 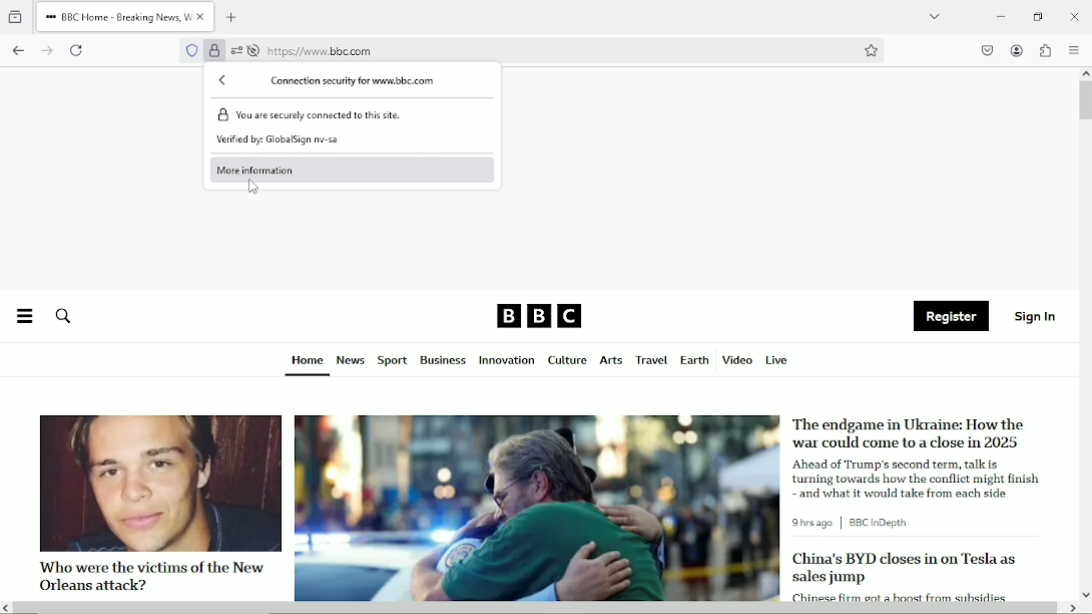 What do you see at coordinates (271, 169) in the screenshot?
I see `More information` at bounding box center [271, 169].